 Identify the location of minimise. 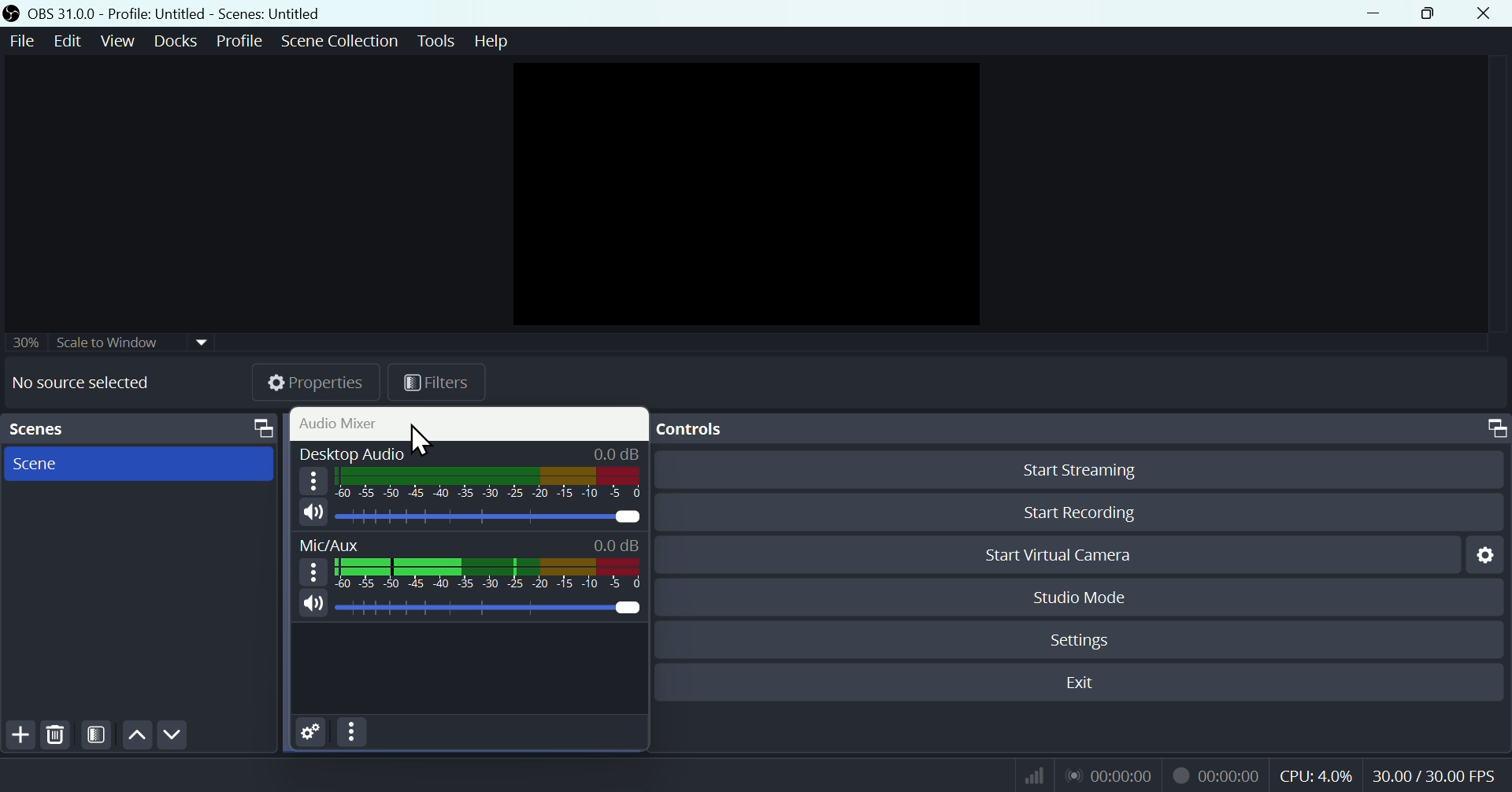
(1376, 13).